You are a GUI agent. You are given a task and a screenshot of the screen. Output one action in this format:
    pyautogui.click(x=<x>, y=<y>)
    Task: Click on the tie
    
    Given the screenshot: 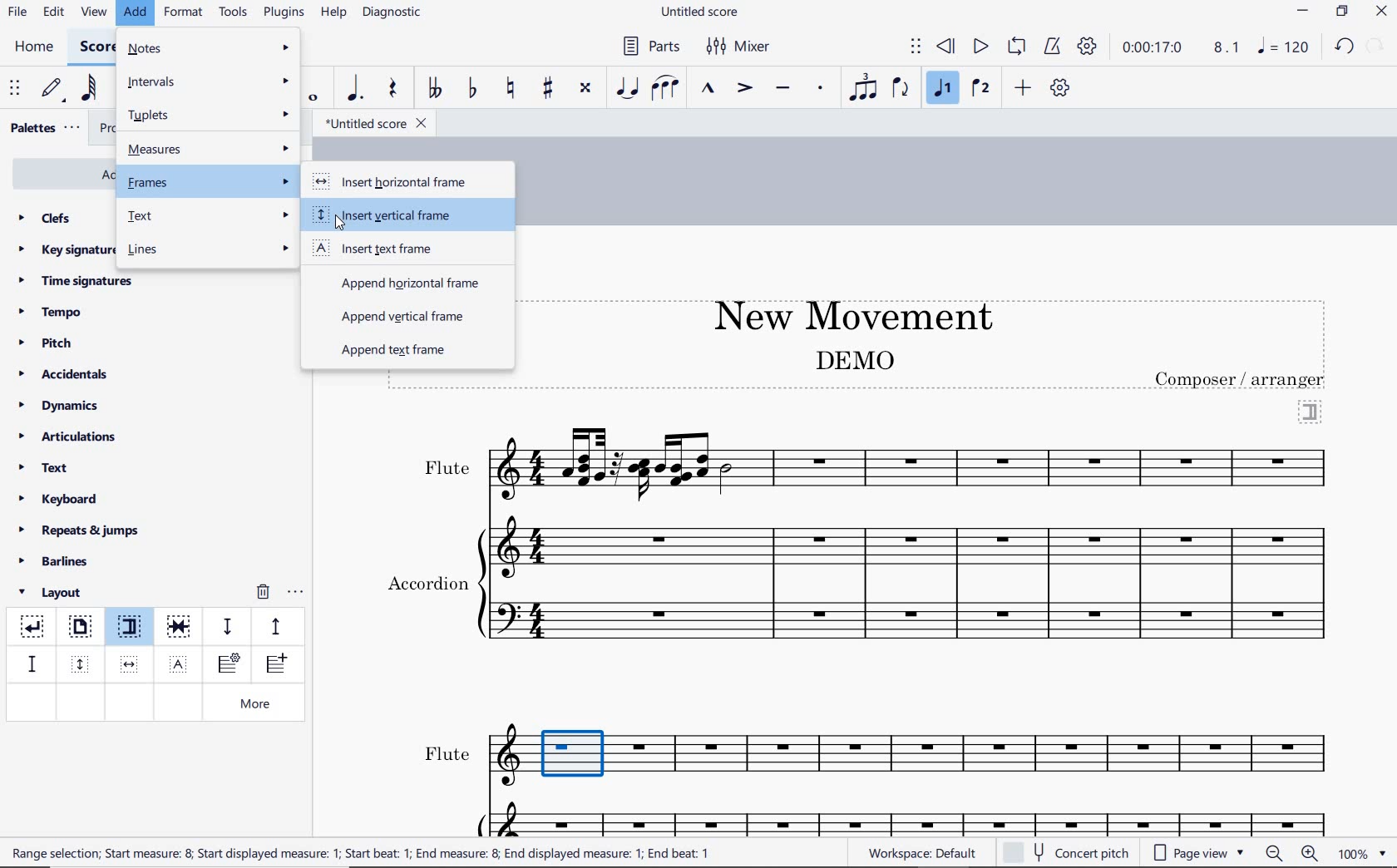 What is the action you would take?
    pyautogui.click(x=629, y=89)
    